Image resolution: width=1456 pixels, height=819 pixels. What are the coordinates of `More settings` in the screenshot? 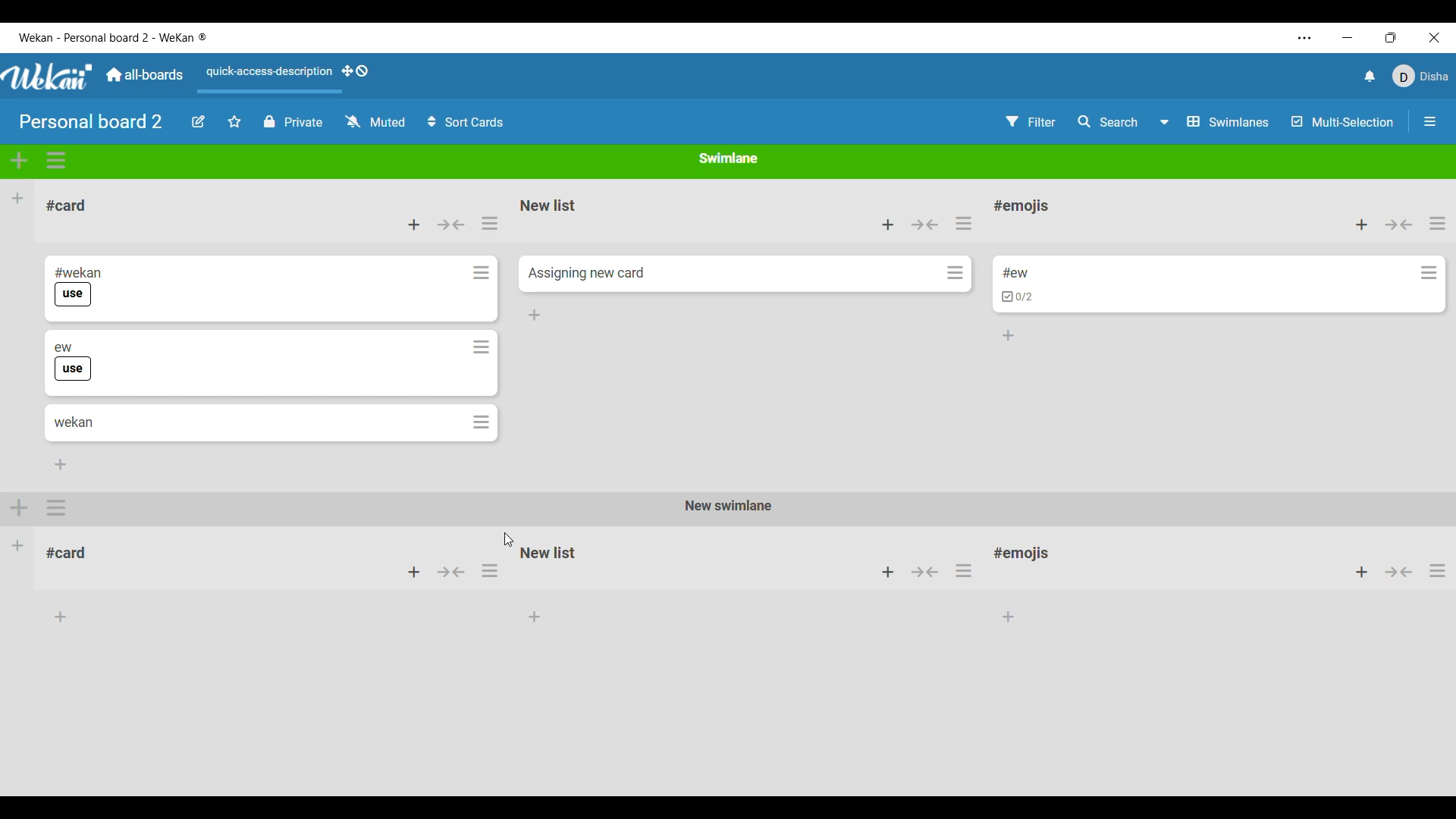 It's located at (1305, 38).